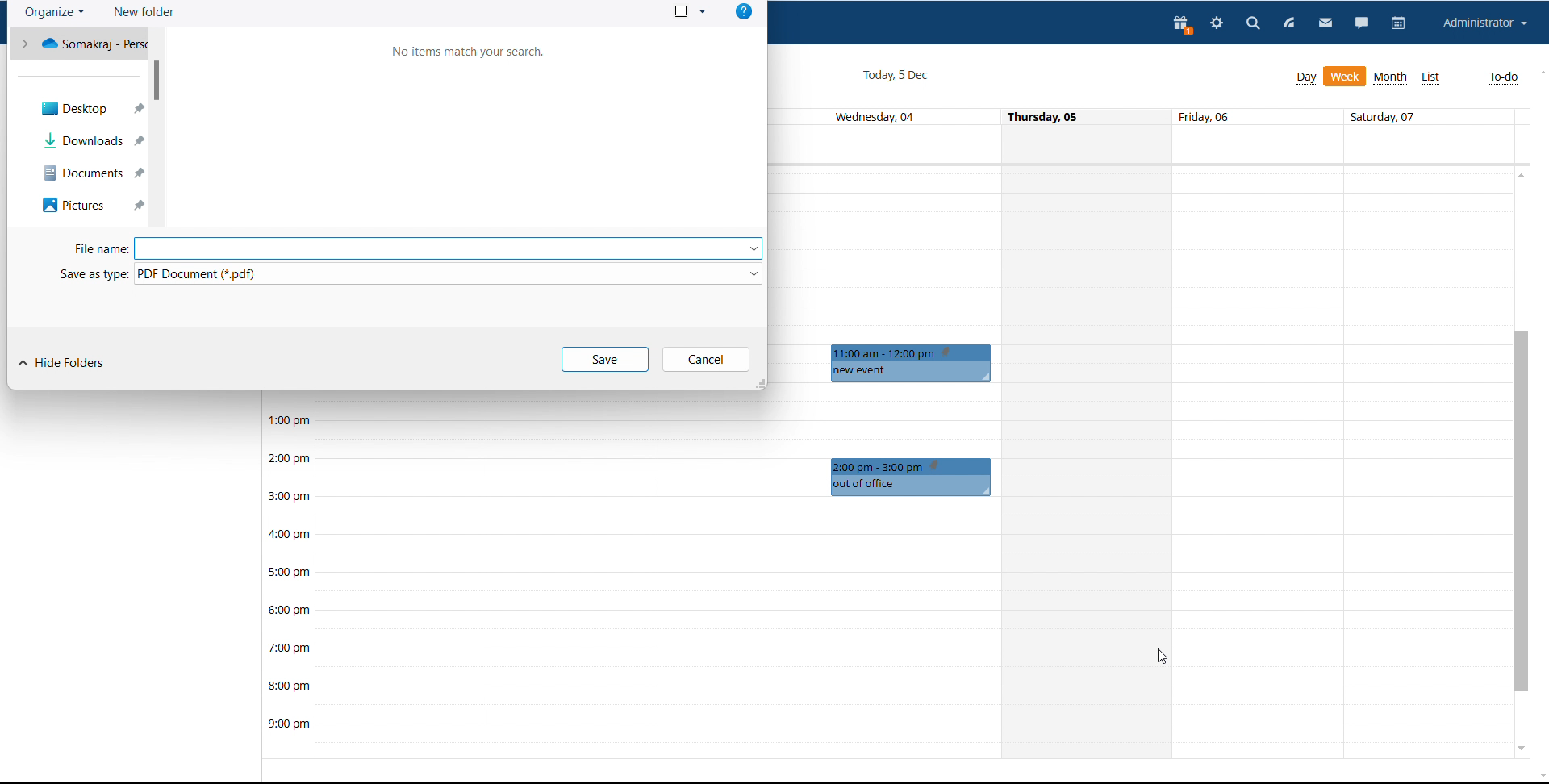 Image resolution: width=1549 pixels, height=784 pixels. Describe the element at coordinates (1215, 25) in the screenshot. I see `settings` at that location.